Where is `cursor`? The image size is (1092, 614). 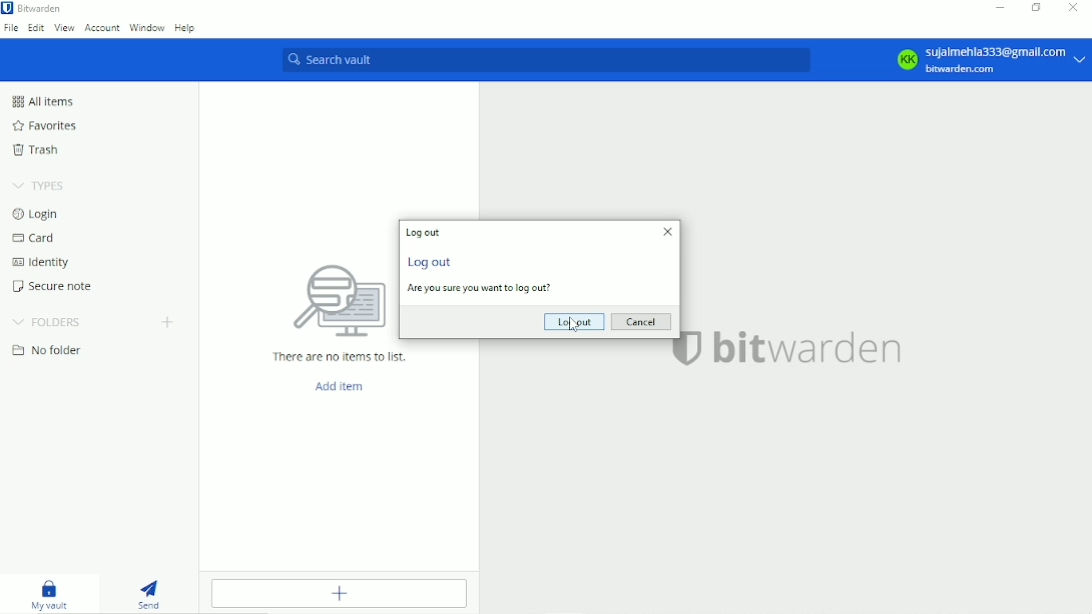
cursor is located at coordinates (574, 326).